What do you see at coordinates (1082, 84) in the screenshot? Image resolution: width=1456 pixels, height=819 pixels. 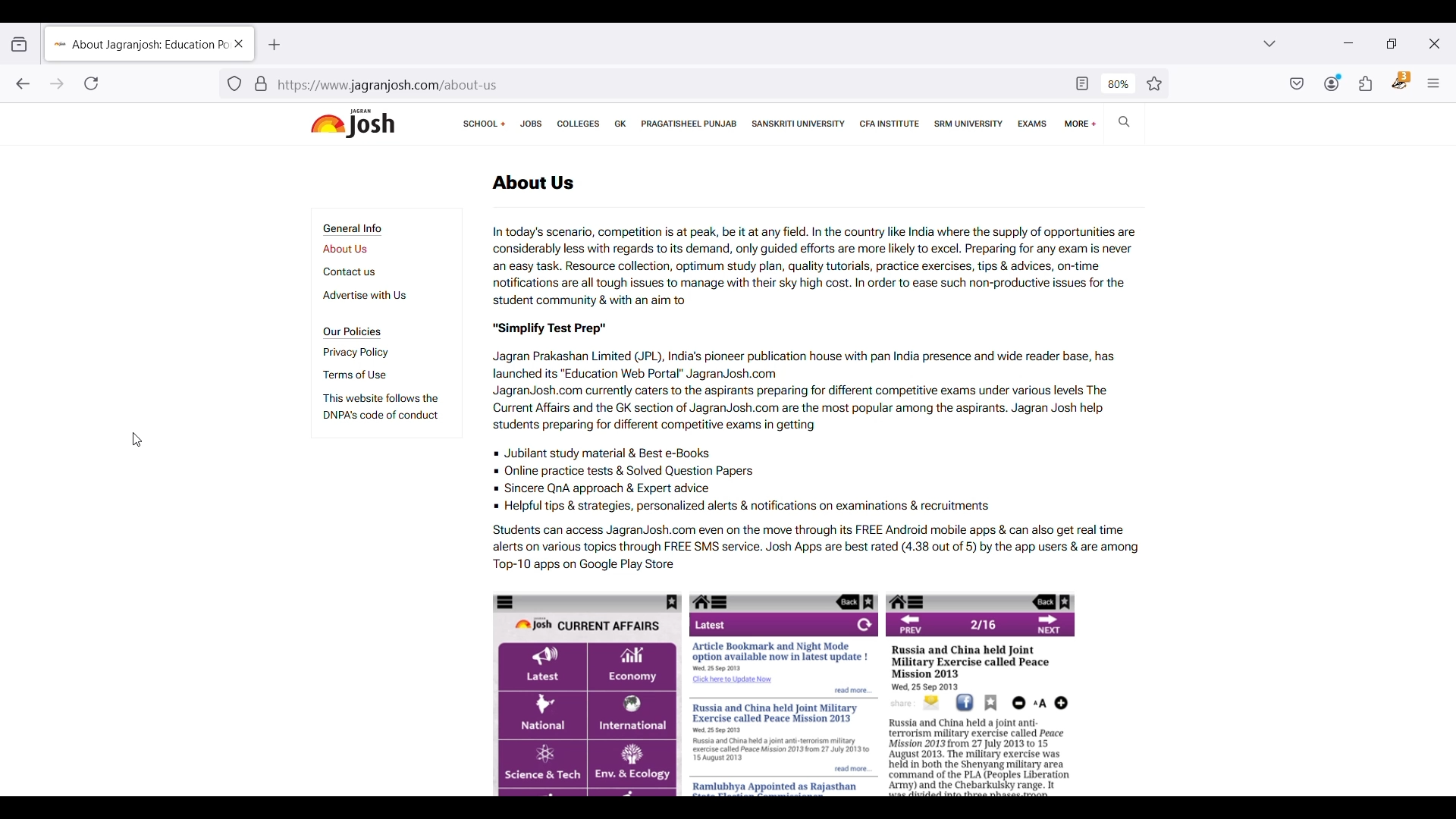 I see `Toggle reader view` at bounding box center [1082, 84].